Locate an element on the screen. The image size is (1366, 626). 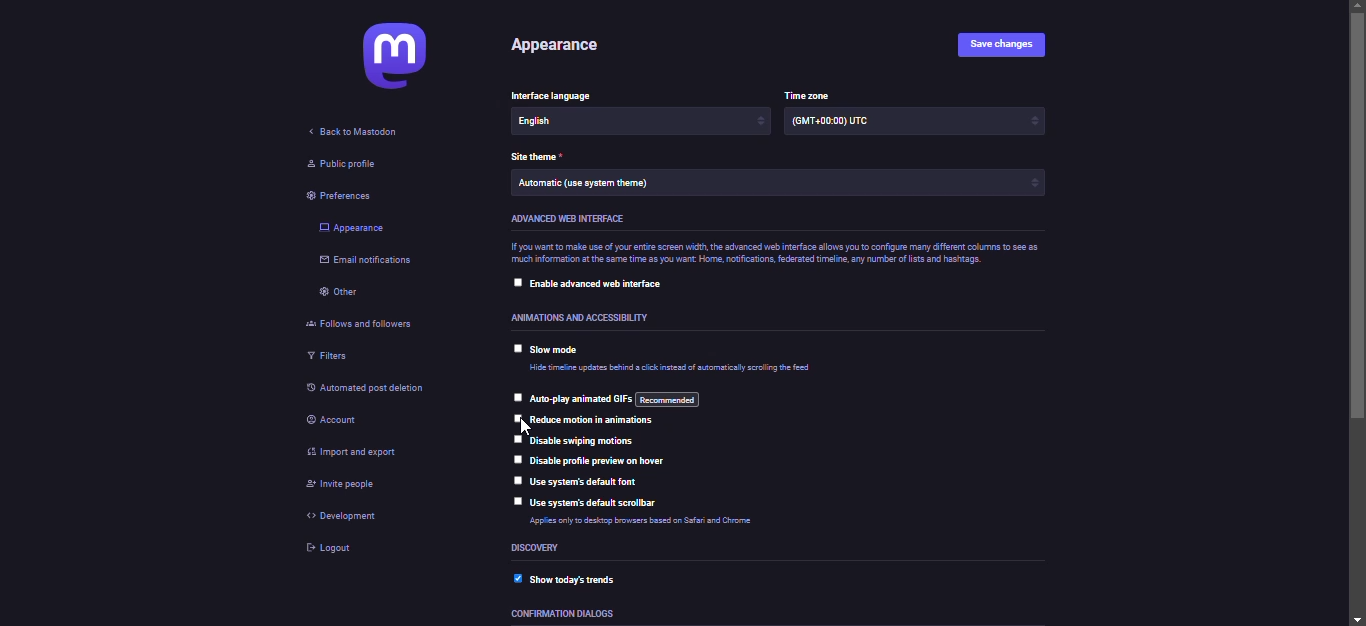
click to select is located at coordinates (512, 440).